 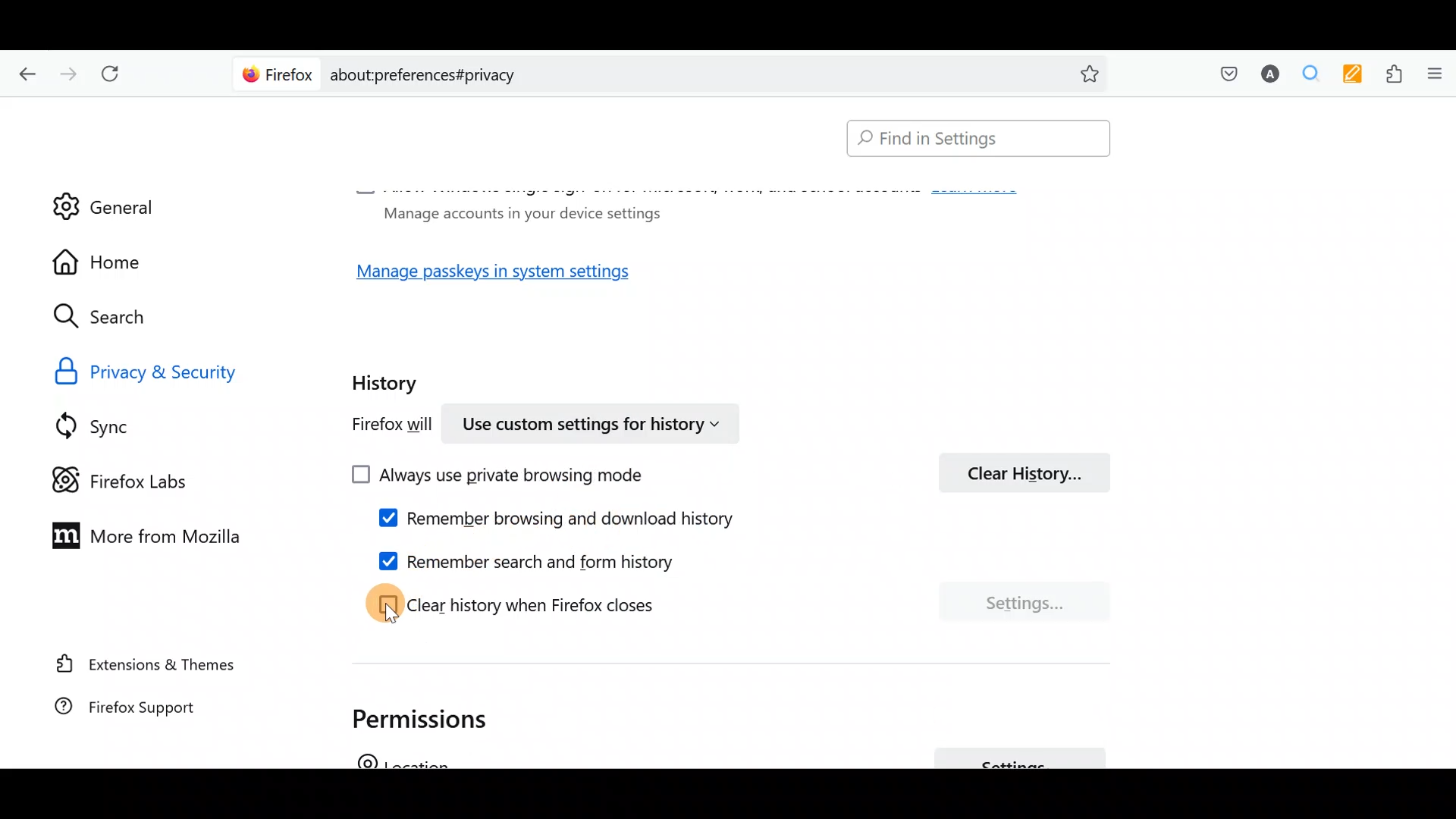 What do you see at coordinates (115, 317) in the screenshot?
I see `Search icon` at bounding box center [115, 317].